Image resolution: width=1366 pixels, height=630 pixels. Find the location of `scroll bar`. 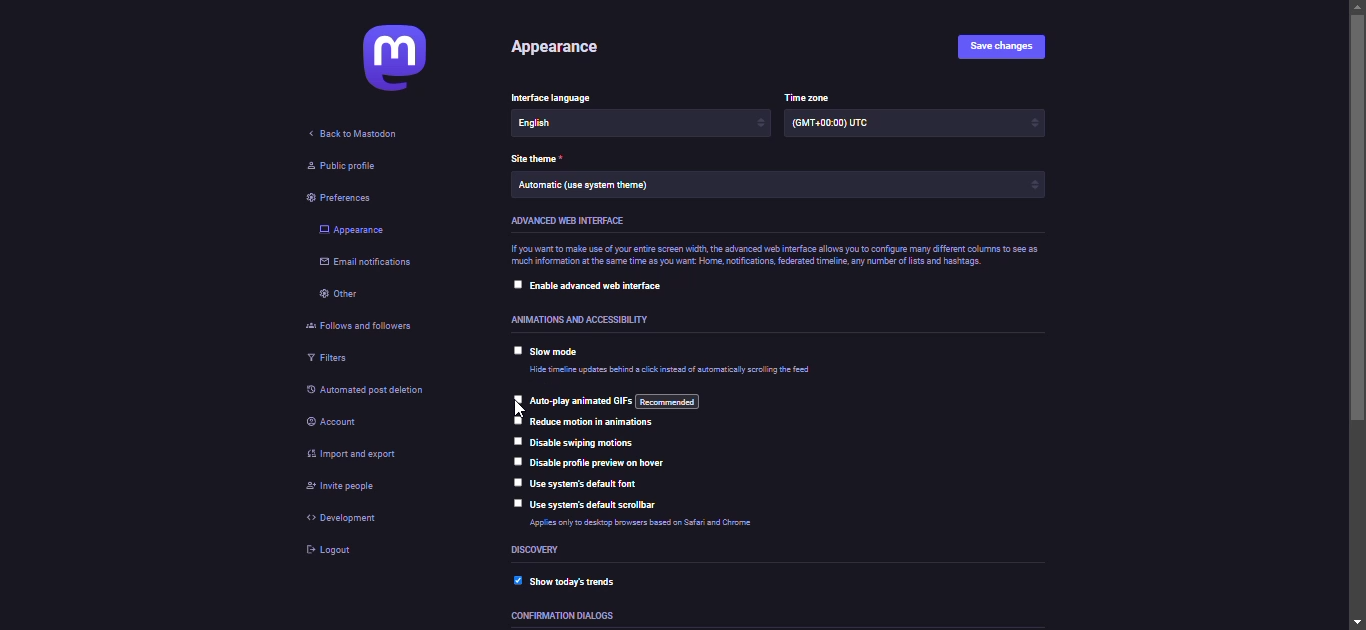

scroll bar is located at coordinates (1356, 313).